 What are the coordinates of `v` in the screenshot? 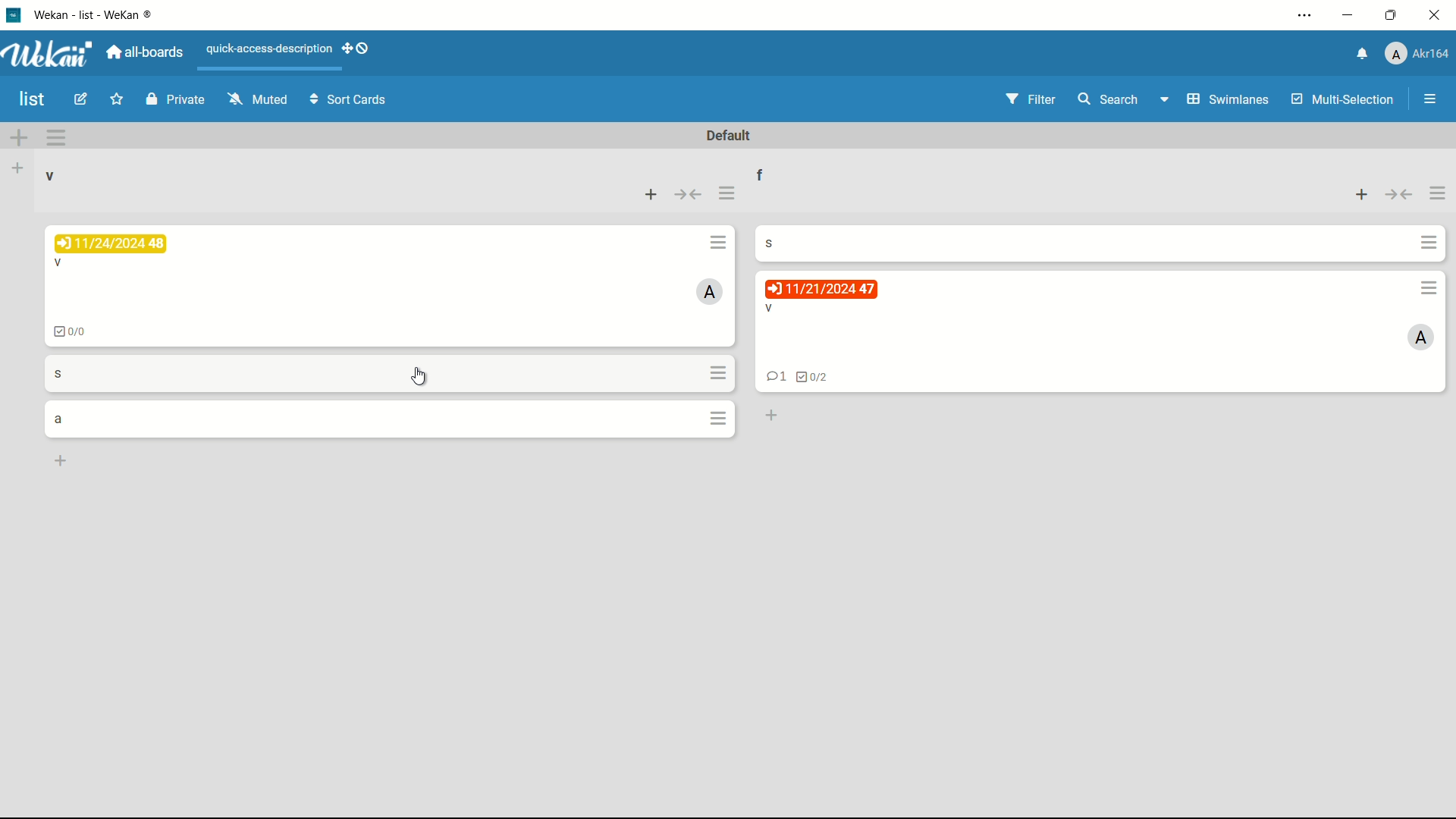 It's located at (771, 309).